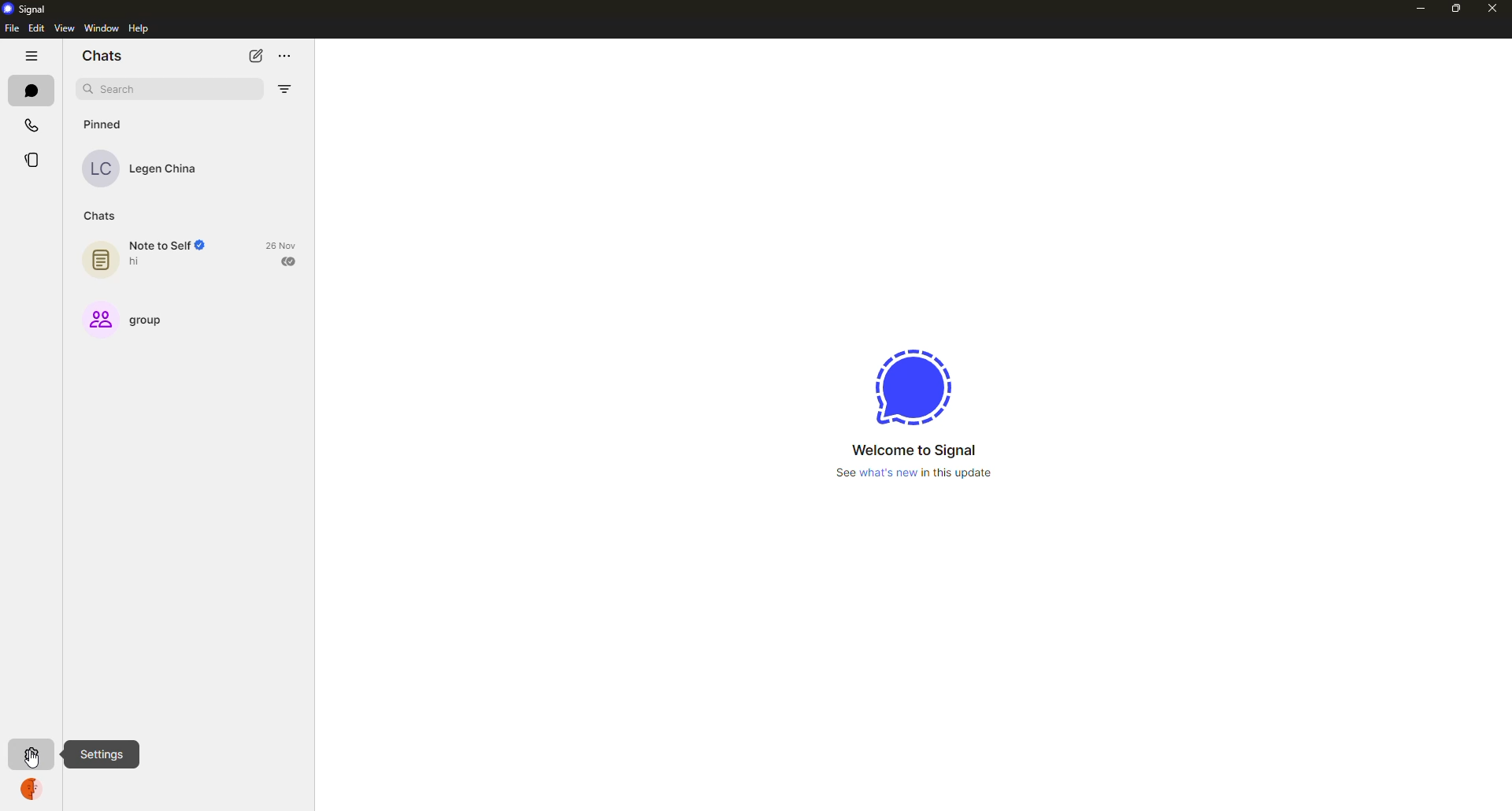 The width and height of the screenshot is (1512, 811). I want to click on Mouse Cursor, so click(31, 761).